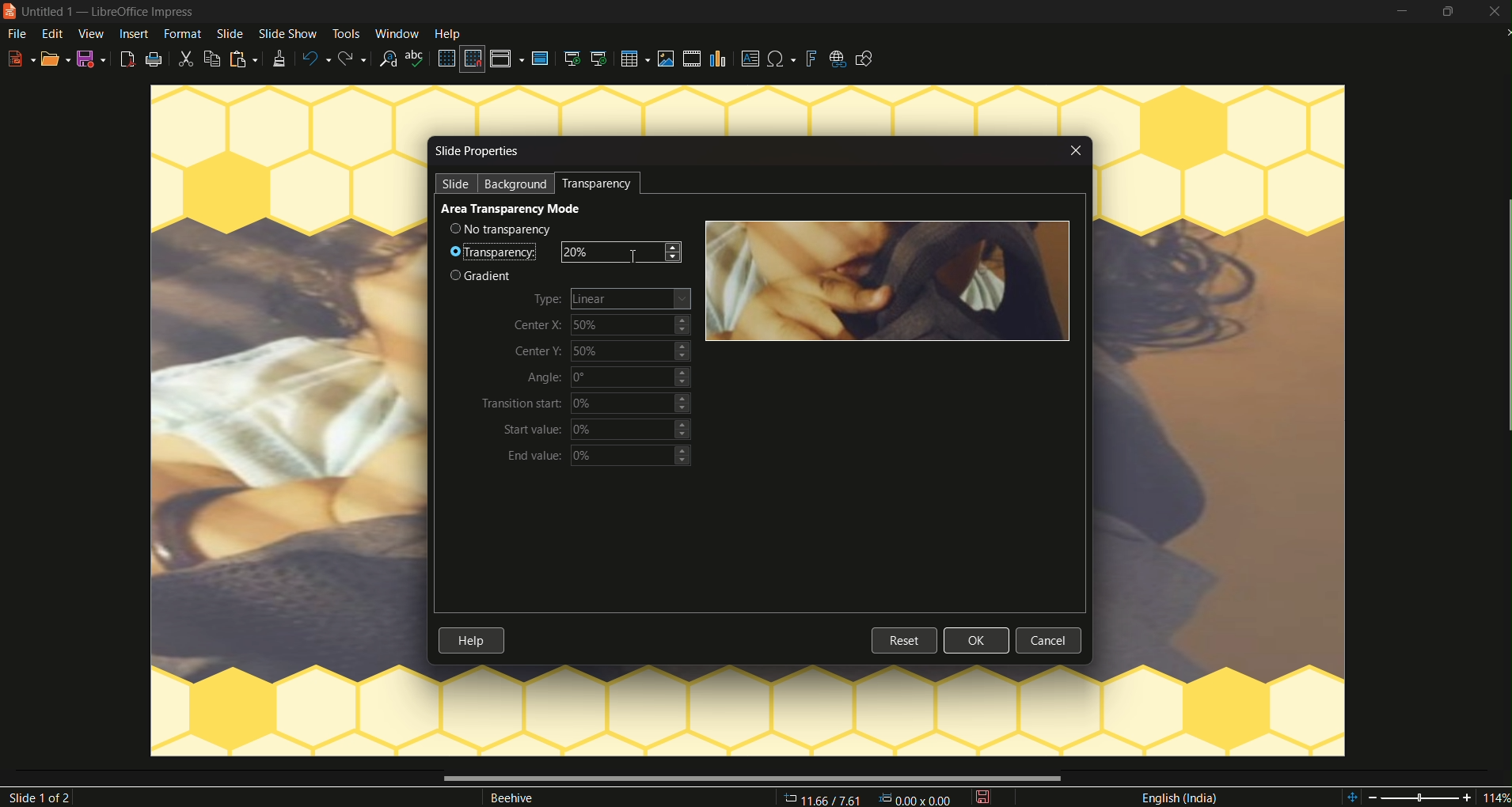 The height and width of the screenshot is (807, 1512). I want to click on insert special character, so click(783, 59).